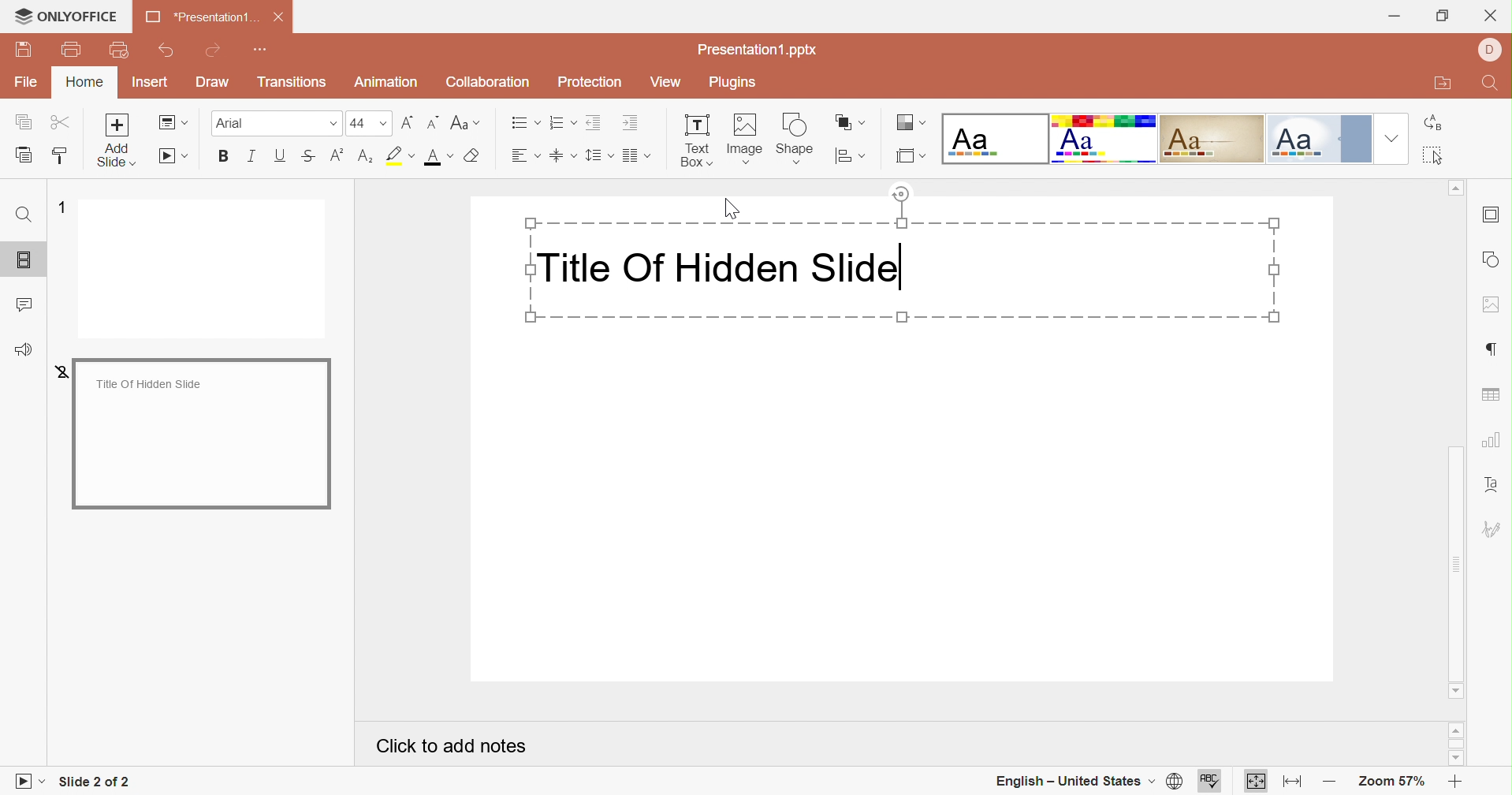 This screenshot has height=795, width=1512. Describe the element at coordinates (1494, 85) in the screenshot. I see `Find` at that location.